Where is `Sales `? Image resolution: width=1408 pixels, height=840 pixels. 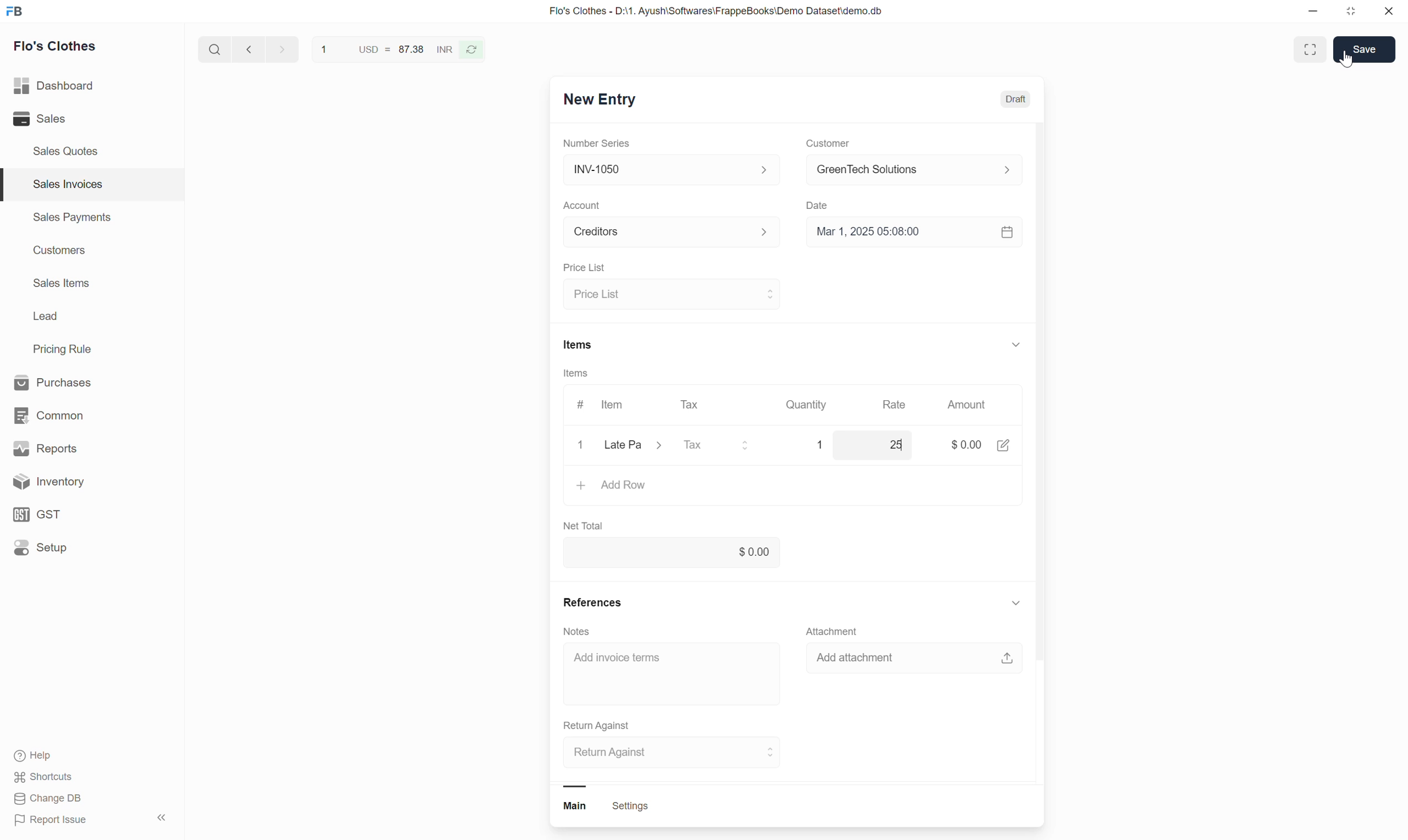 Sales  is located at coordinates (64, 119).